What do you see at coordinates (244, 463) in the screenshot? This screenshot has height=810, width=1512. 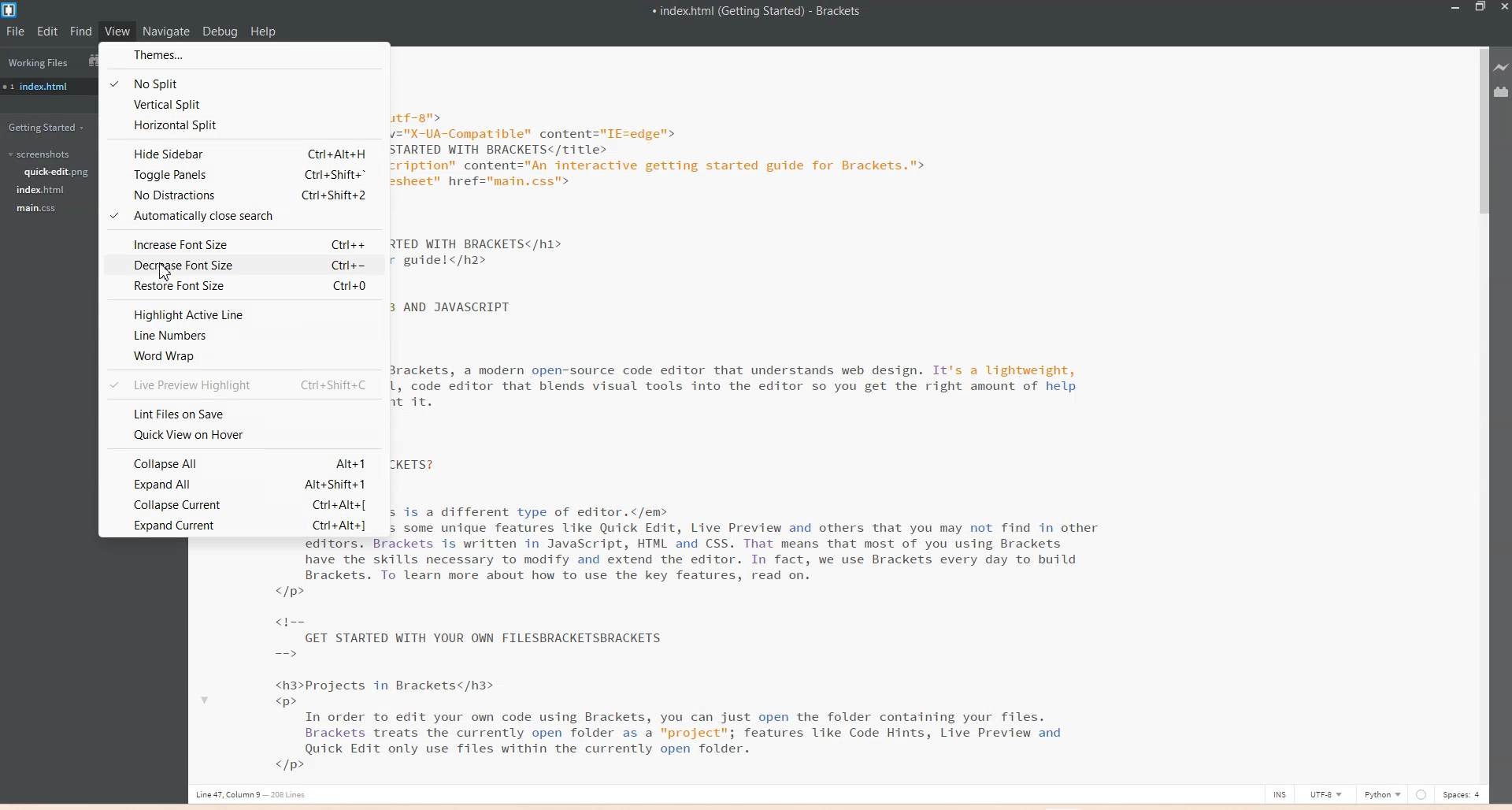 I see `Collapse All` at bounding box center [244, 463].